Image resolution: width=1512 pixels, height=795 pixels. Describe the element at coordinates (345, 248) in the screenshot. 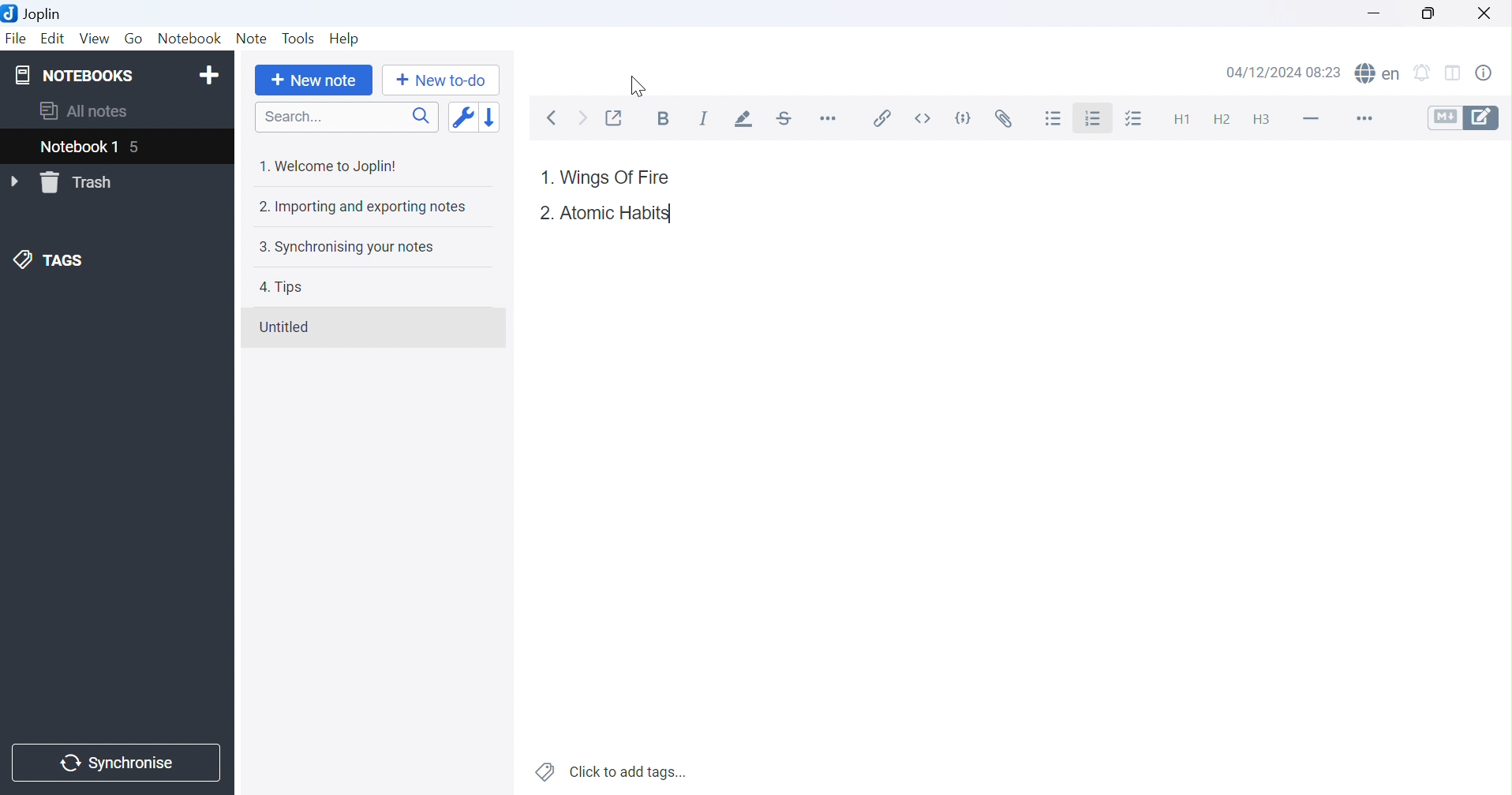

I see `3. Synchronising your notes` at that location.